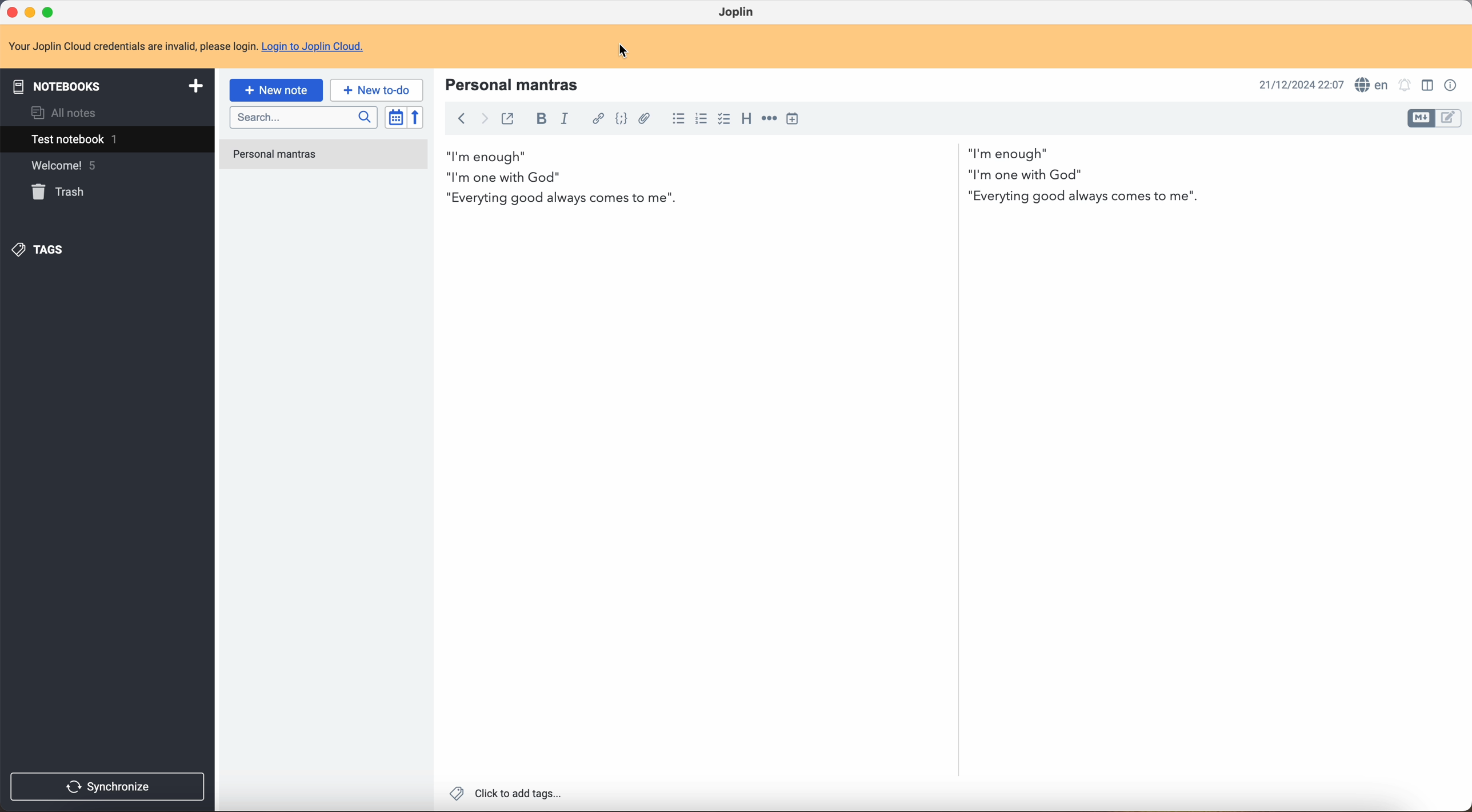 The height and width of the screenshot is (812, 1472). Describe the element at coordinates (1463, 255) in the screenshot. I see `scroll bar` at that location.